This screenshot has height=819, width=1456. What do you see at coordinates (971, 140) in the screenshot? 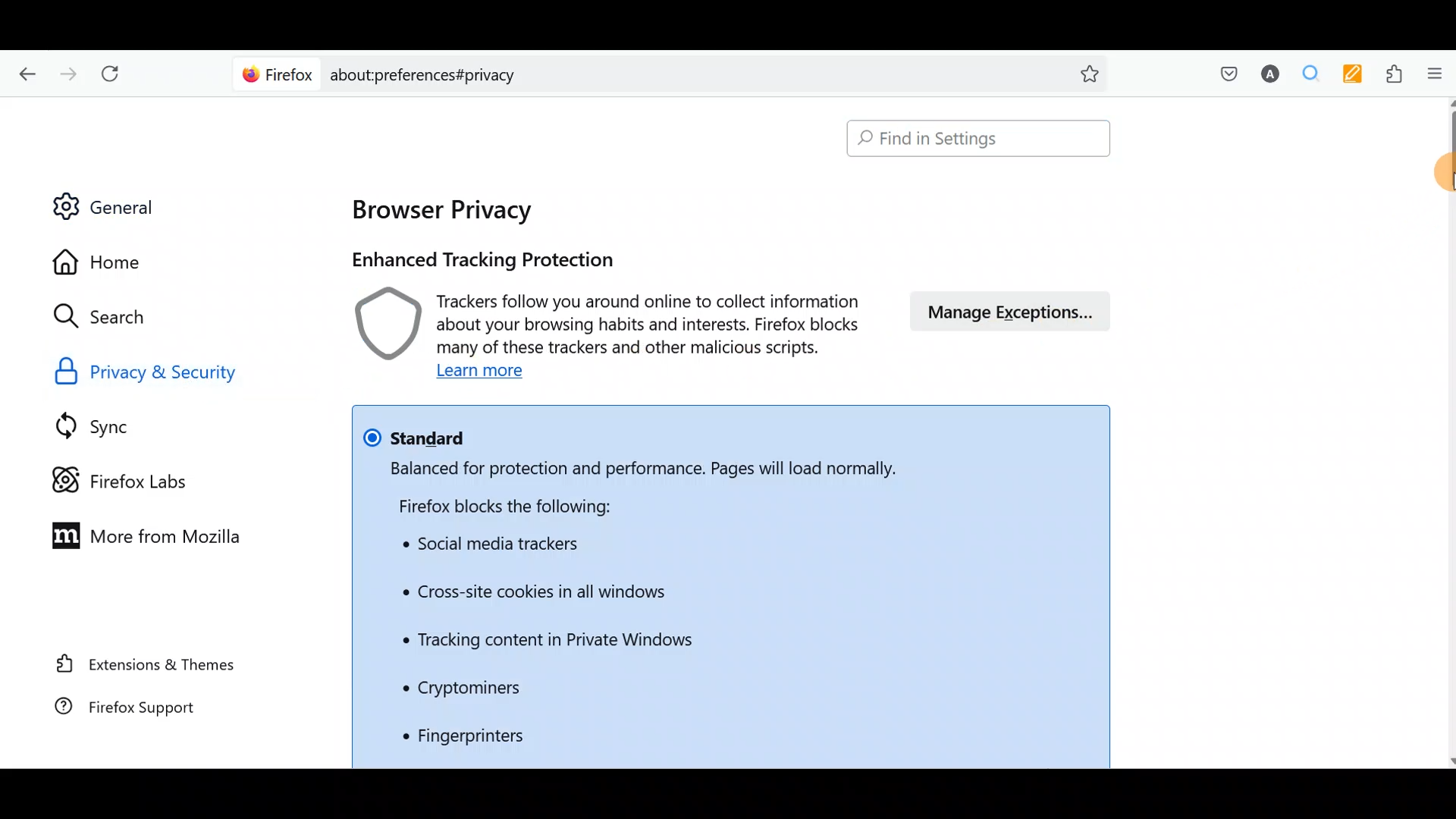
I see `Search bar` at bounding box center [971, 140].